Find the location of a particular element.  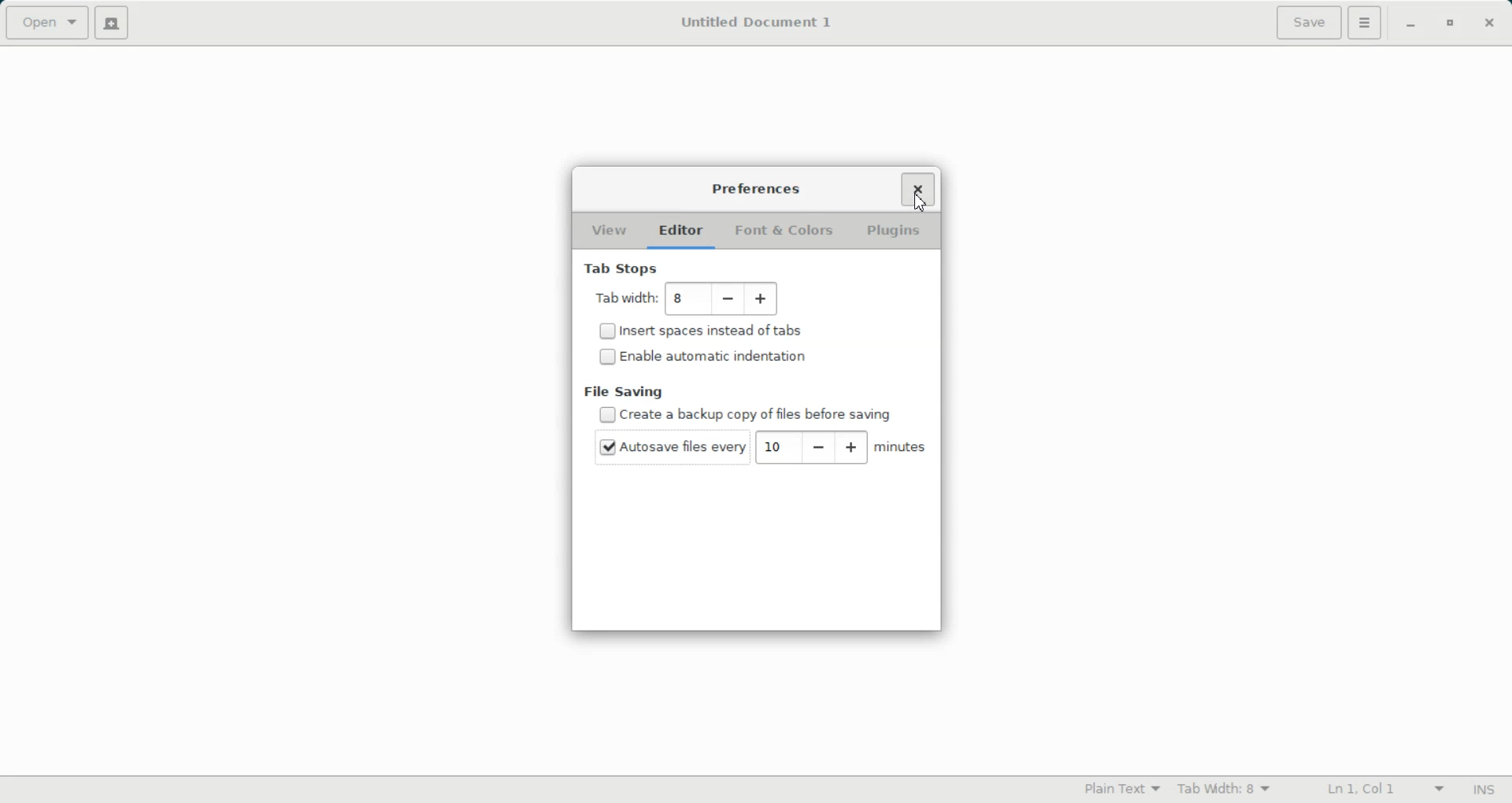

Tab Stops is located at coordinates (618, 267).